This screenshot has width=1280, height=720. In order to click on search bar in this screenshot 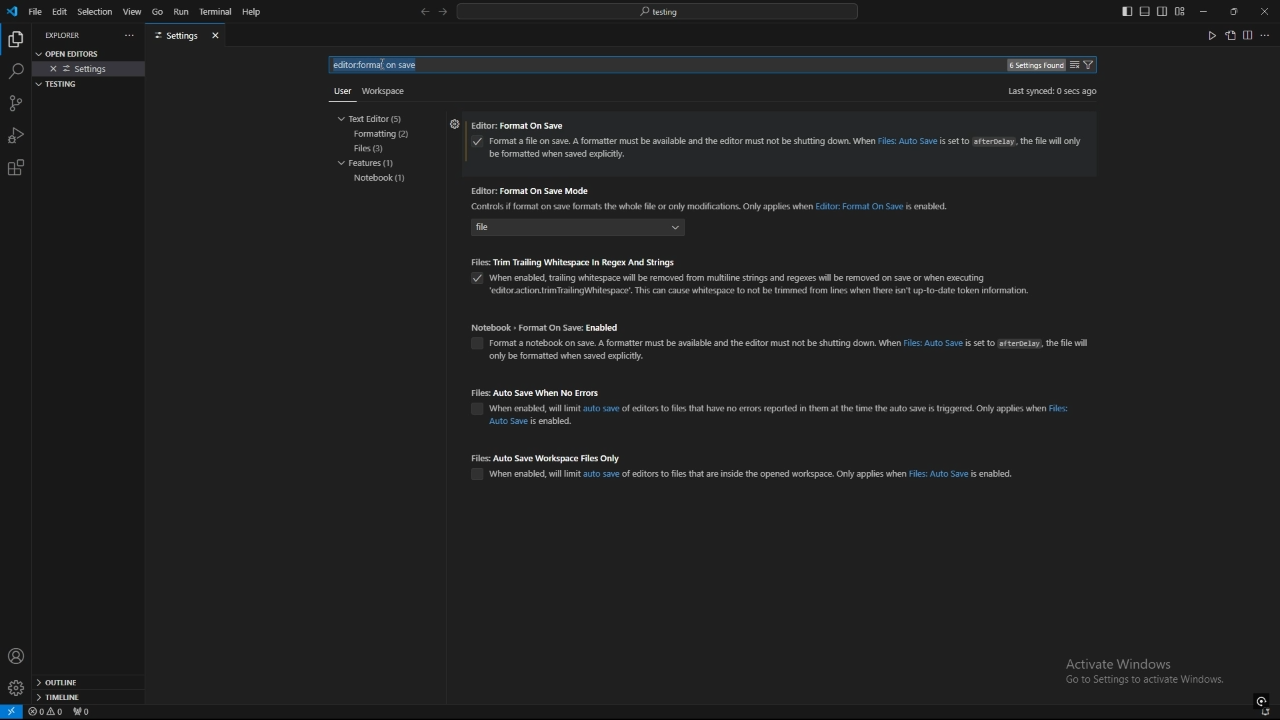, I will do `click(393, 65)`.